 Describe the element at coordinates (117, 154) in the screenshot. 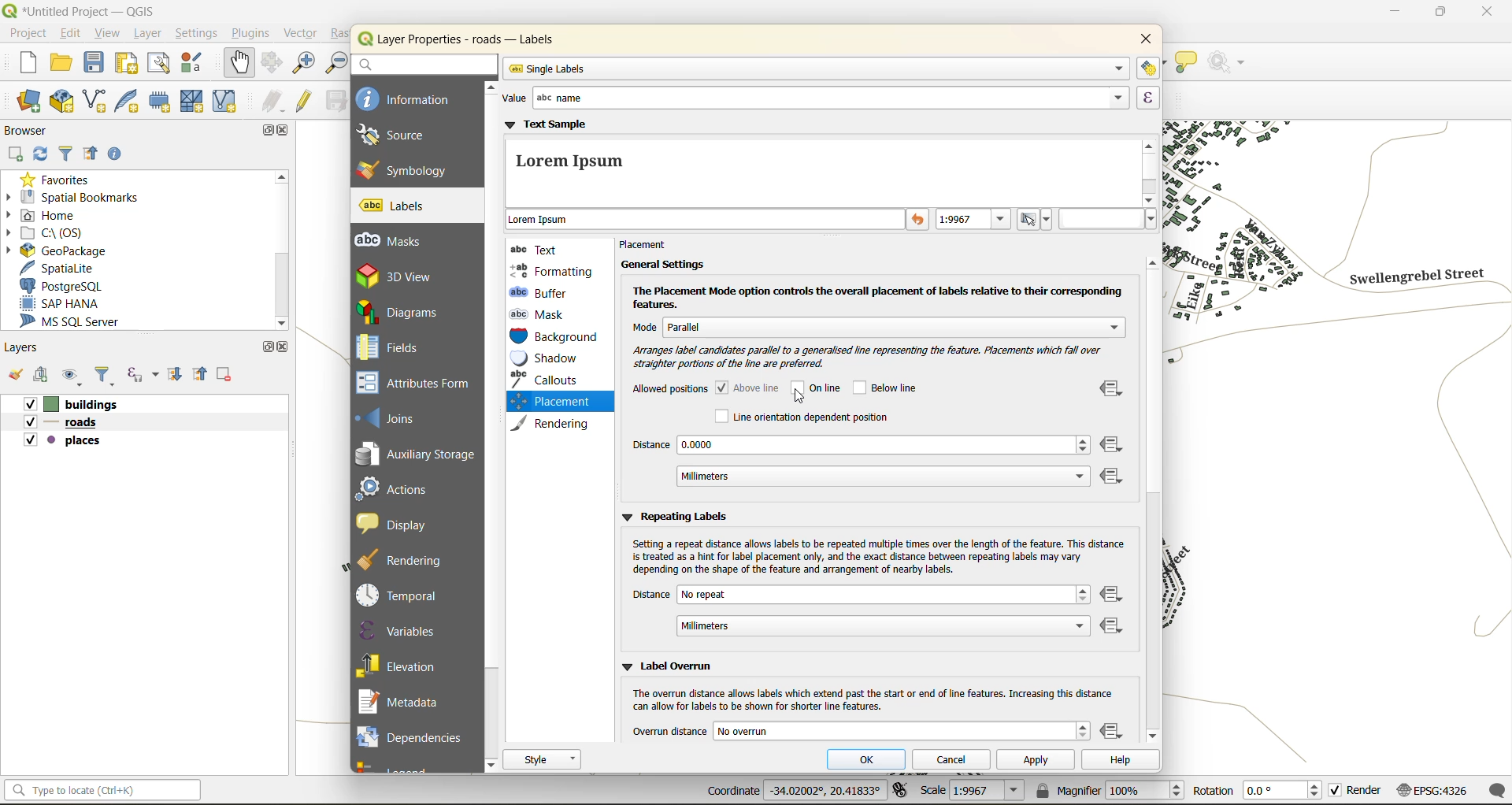

I see `enable properties` at that location.